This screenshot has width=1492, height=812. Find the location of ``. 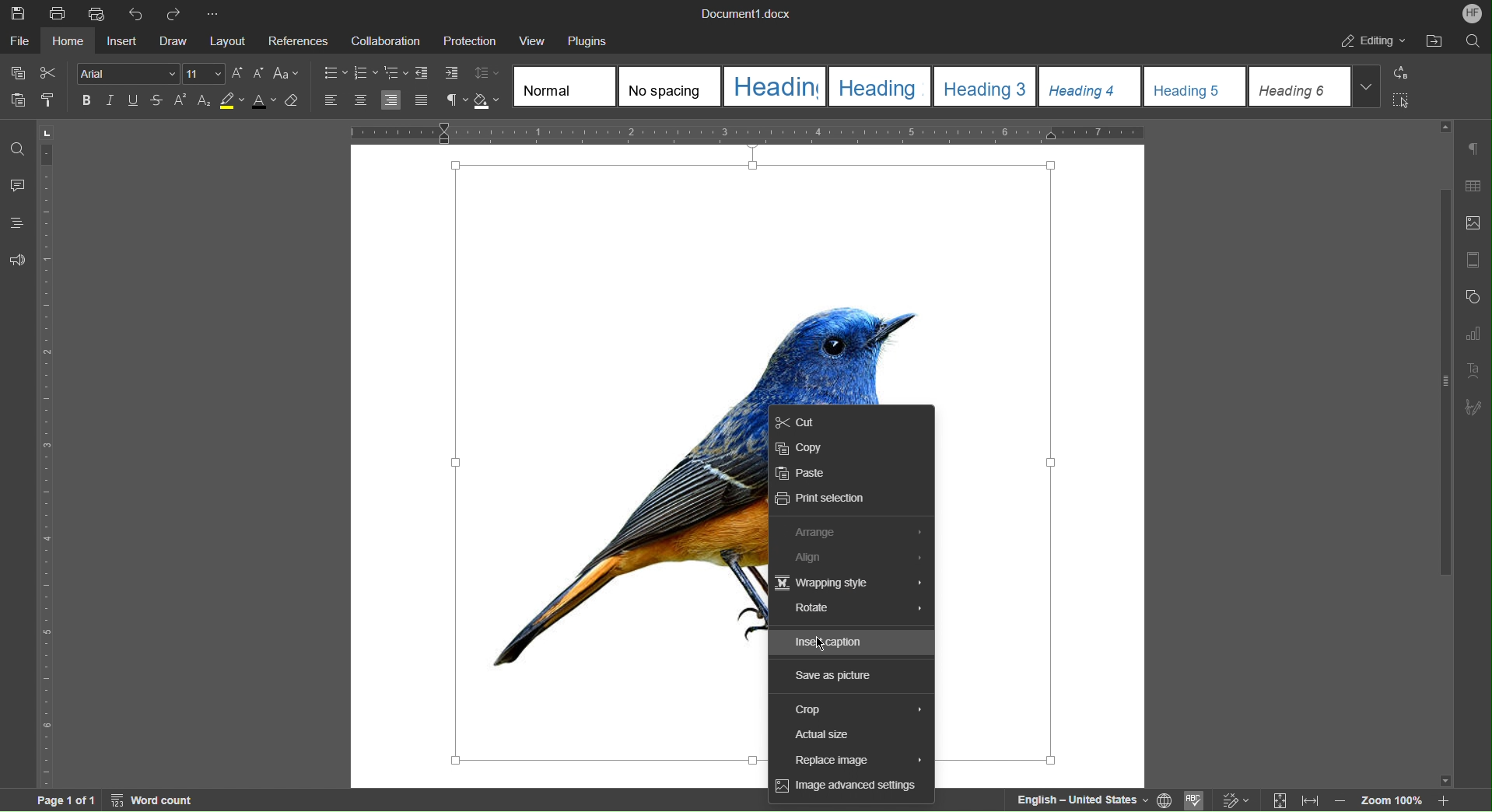

 is located at coordinates (850, 733).